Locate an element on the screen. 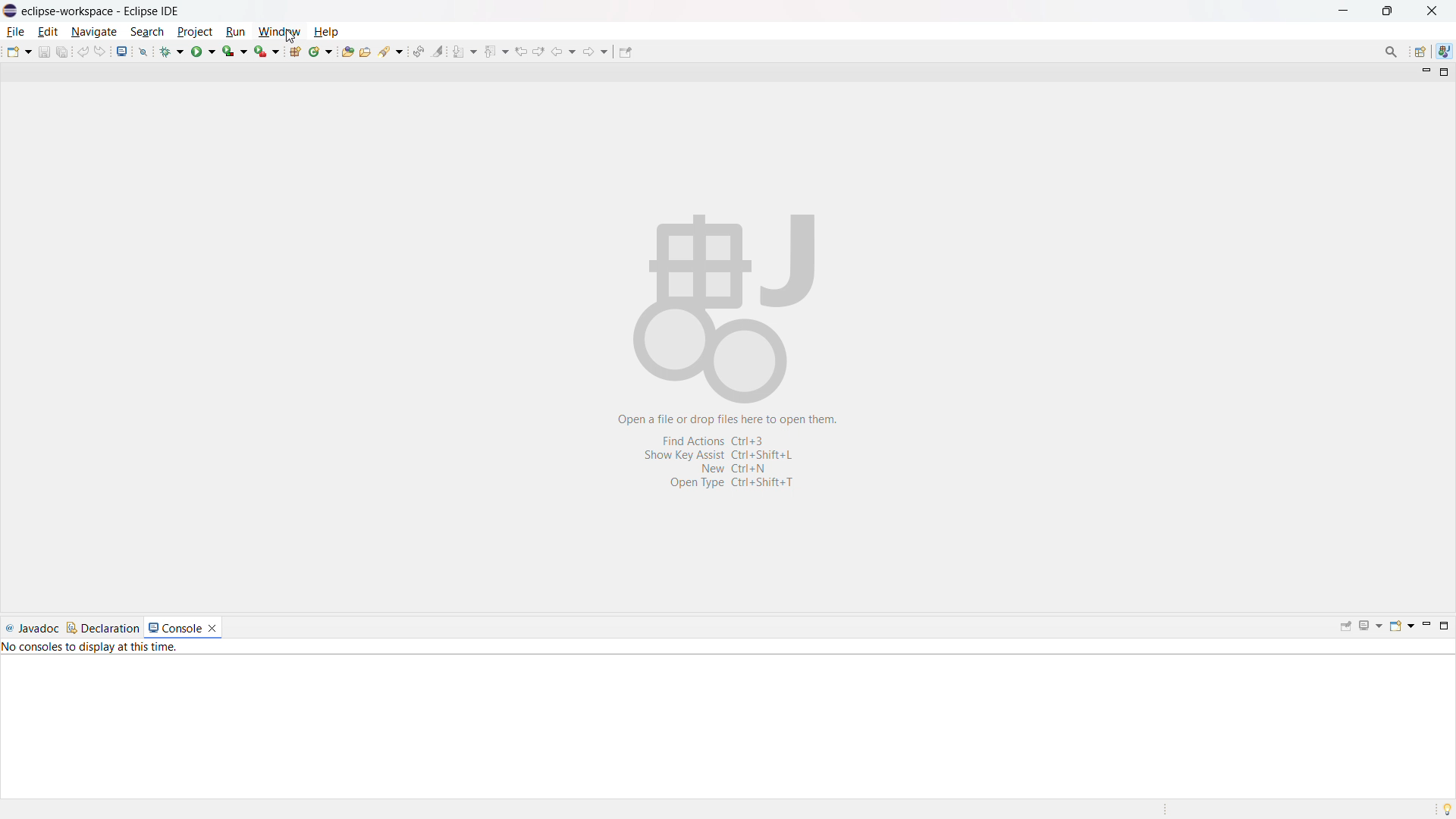  view previous location is located at coordinates (520, 51).